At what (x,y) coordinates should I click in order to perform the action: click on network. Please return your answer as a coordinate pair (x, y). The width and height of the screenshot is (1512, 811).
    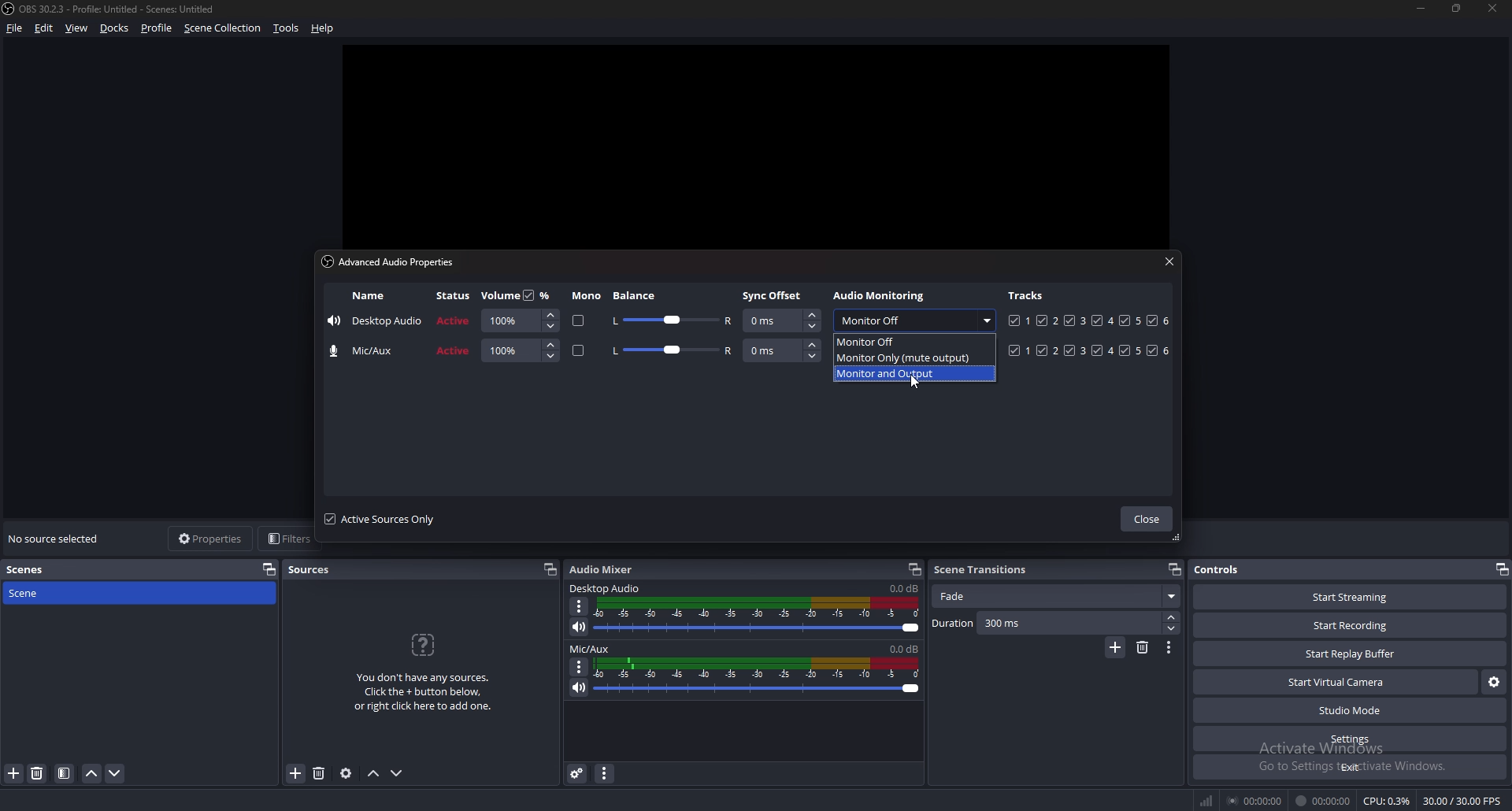
    Looking at the image, I should click on (1208, 801).